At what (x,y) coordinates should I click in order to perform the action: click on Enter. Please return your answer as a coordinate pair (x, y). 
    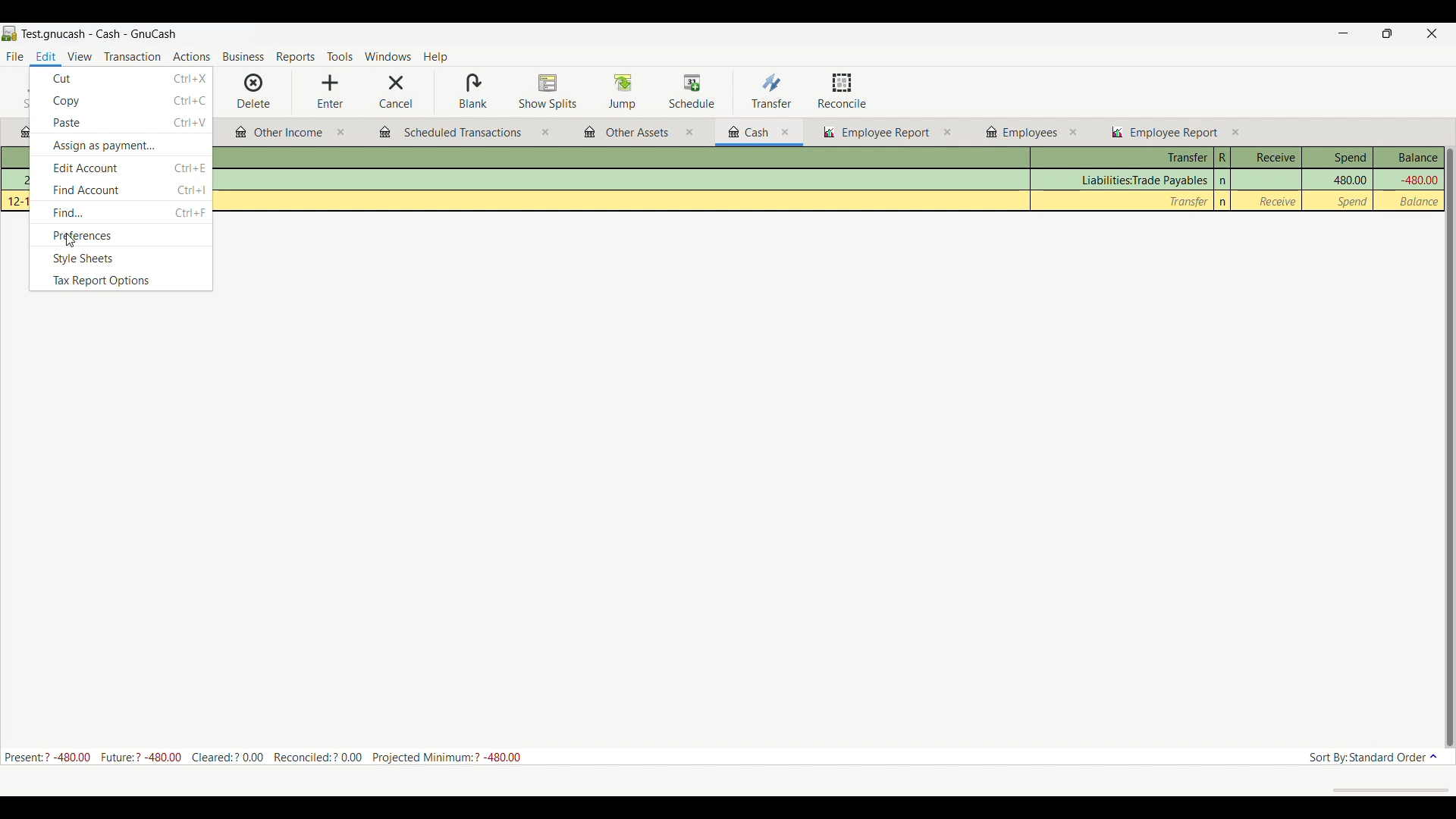
    Looking at the image, I should click on (329, 92).